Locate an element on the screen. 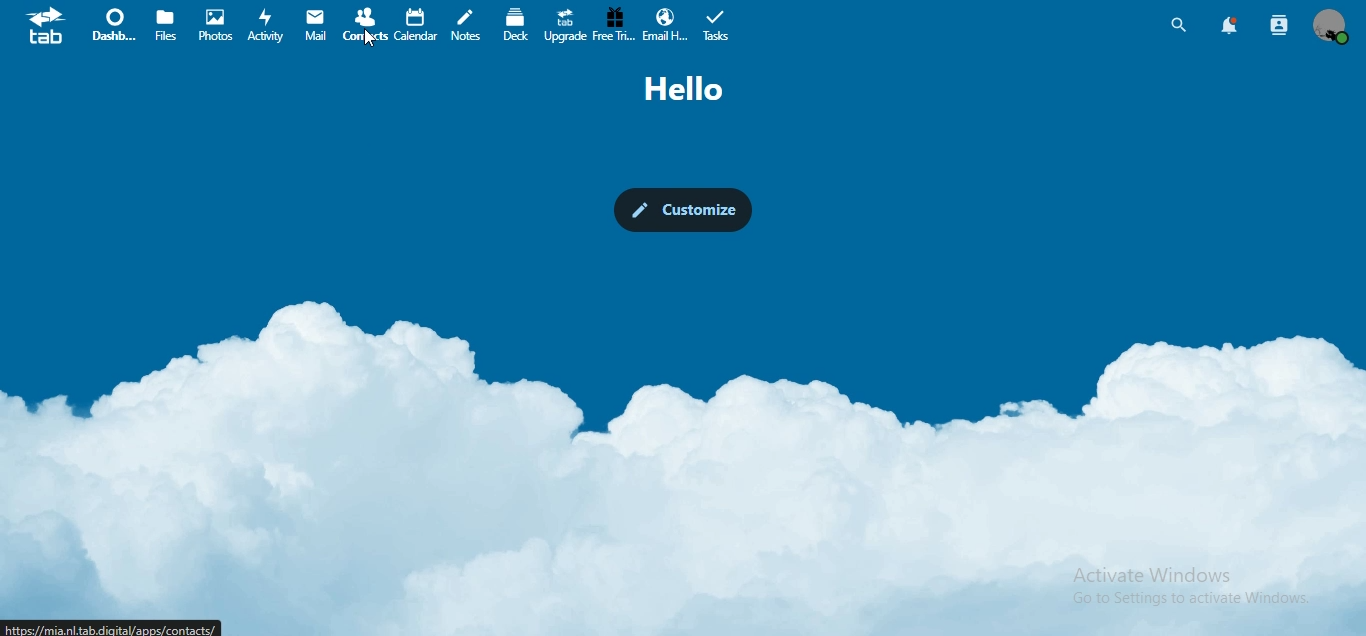  notes is located at coordinates (467, 25).